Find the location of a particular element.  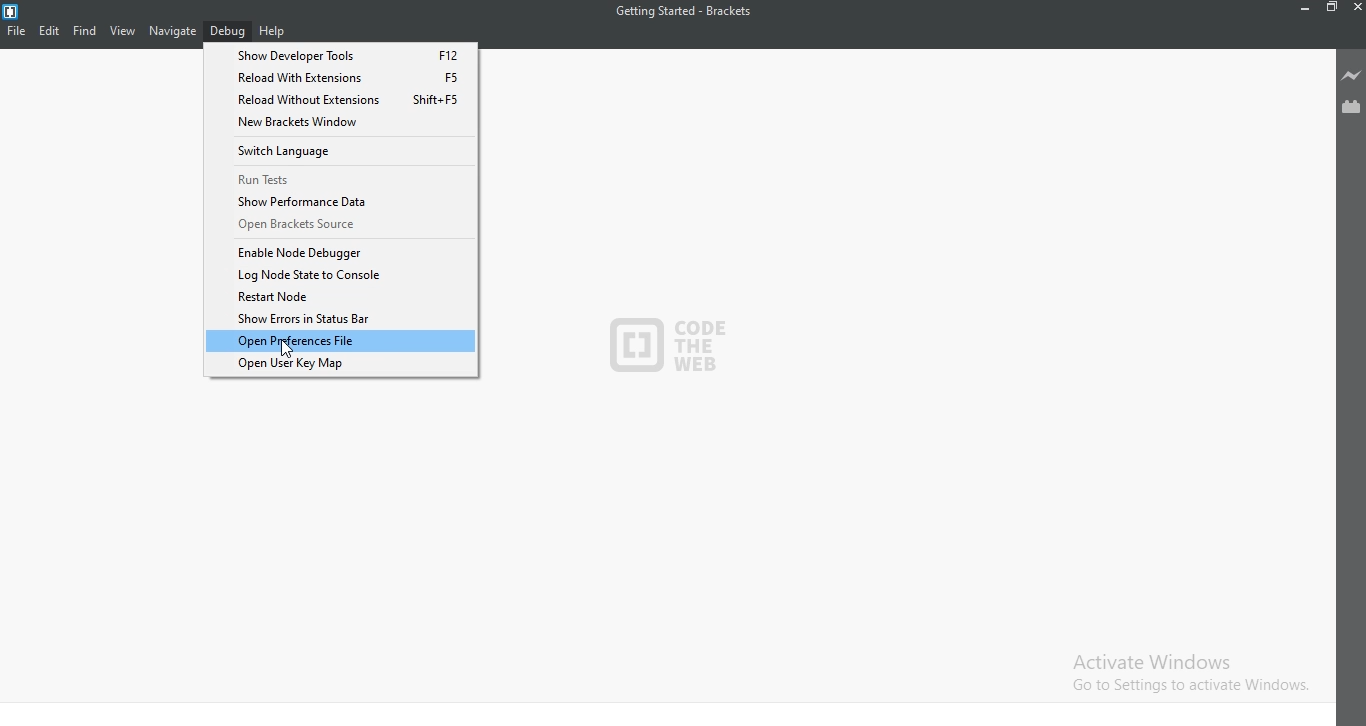

restart node is located at coordinates (340, 297).